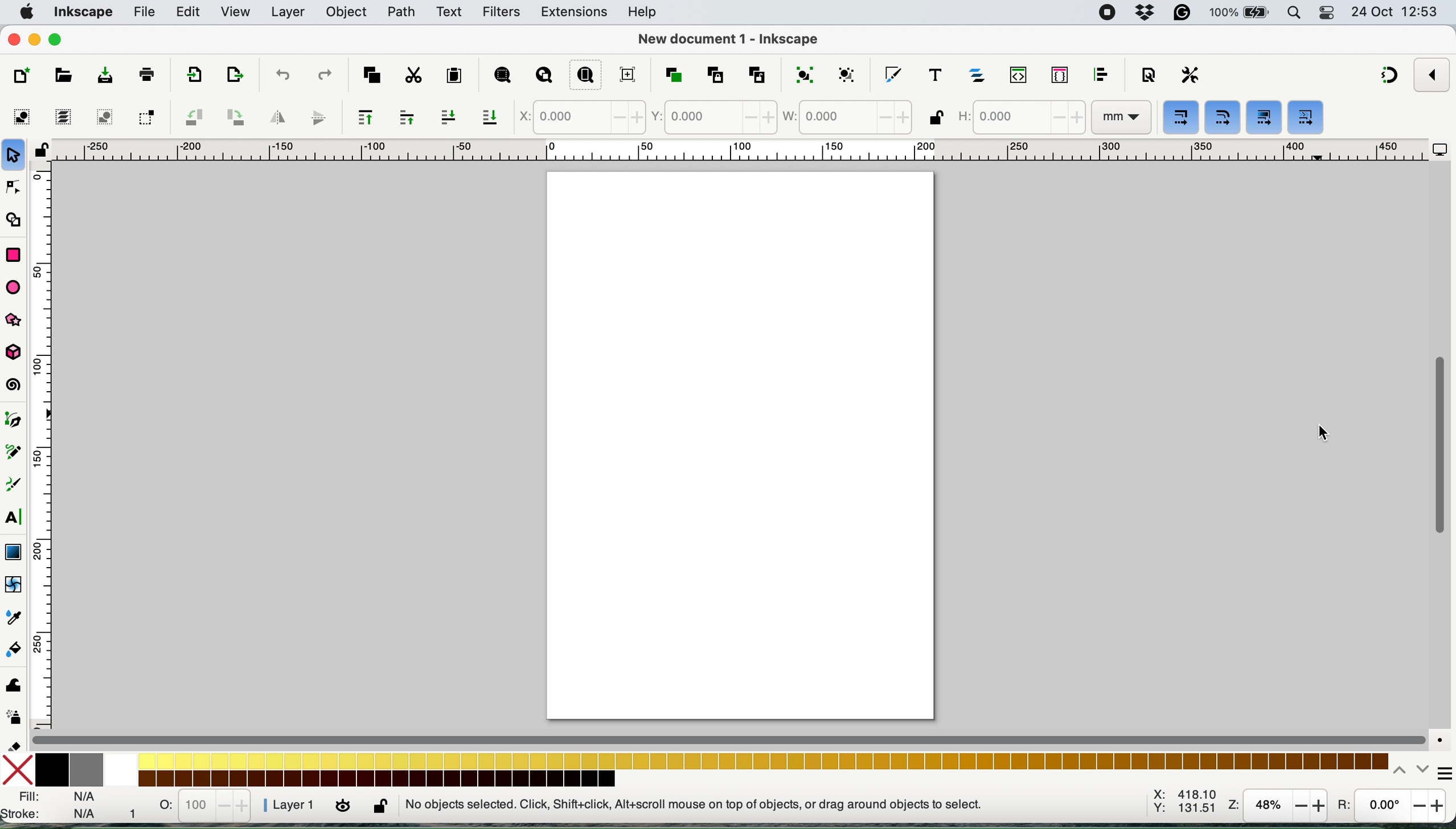 The width and height of the screenshot is (1456, 829). What do you see at coordinates (17, 454) in the screenshot?
I see `pencil tool` at bounding box center [17, 454].